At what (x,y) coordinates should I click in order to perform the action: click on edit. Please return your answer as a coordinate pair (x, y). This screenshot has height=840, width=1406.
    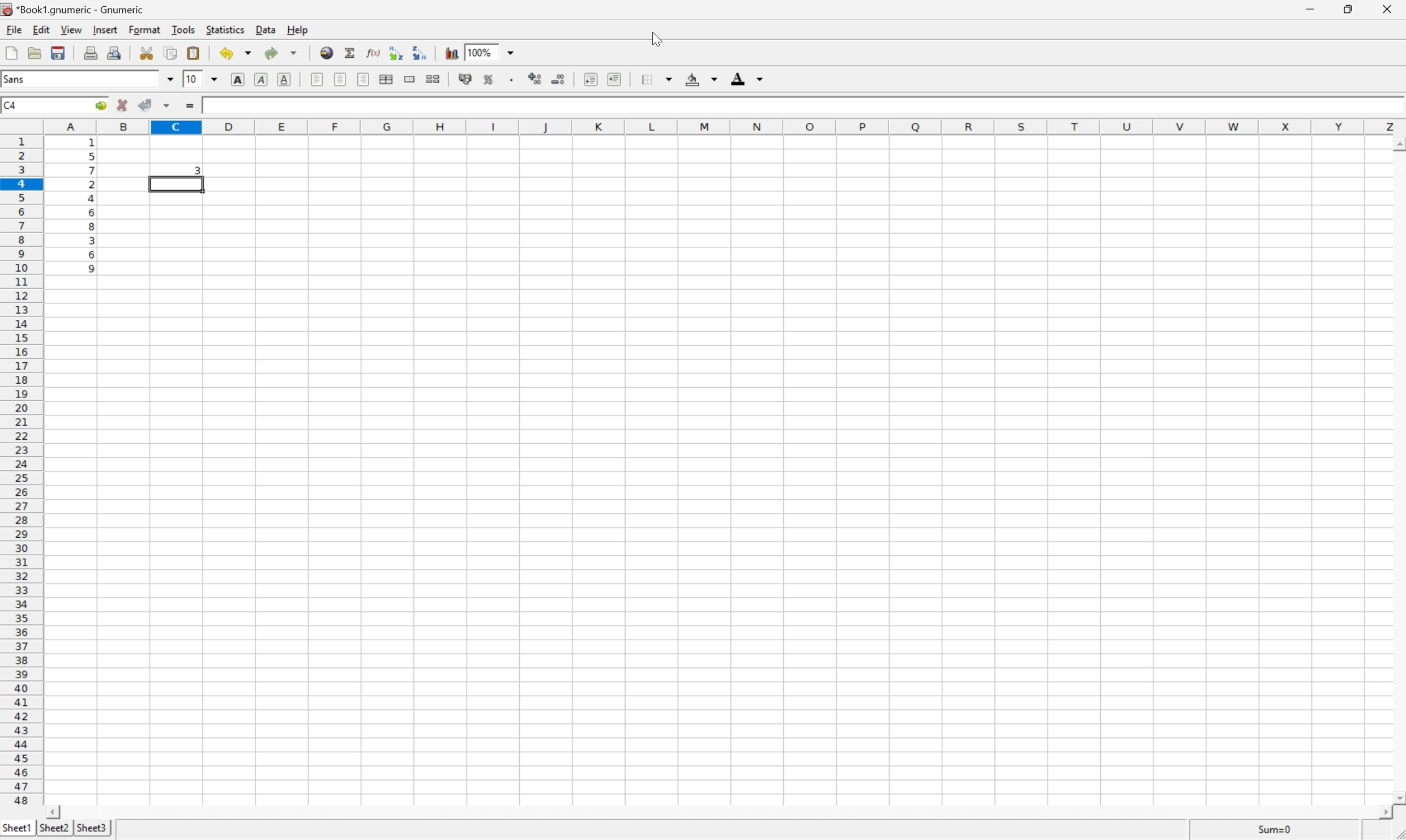
    Looking at the image, I should click on (41, 29).